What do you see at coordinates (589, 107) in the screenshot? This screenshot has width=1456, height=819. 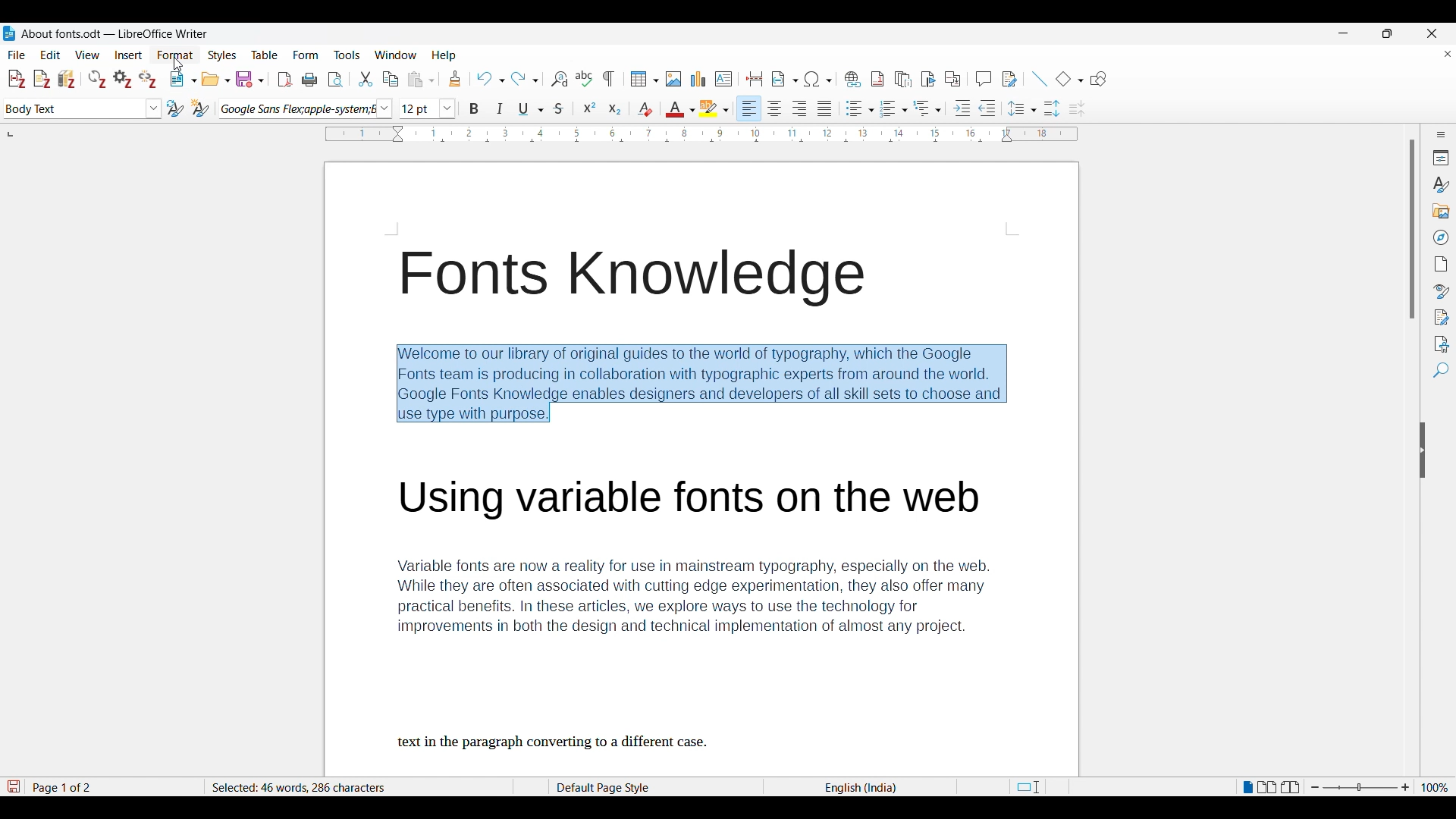 I see `Superscript` at bounding box center [589, 107].